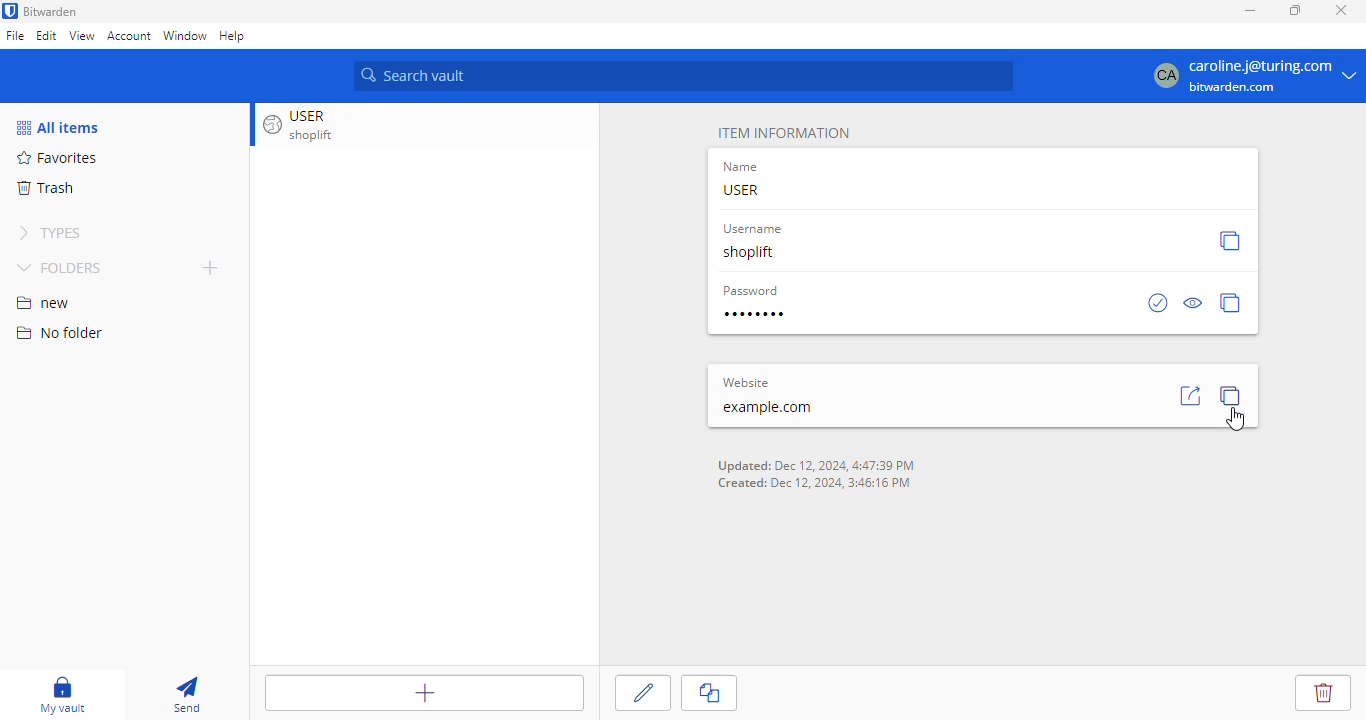 The image size is (1366, 720). I want to click on launch, so click(1190, 395).